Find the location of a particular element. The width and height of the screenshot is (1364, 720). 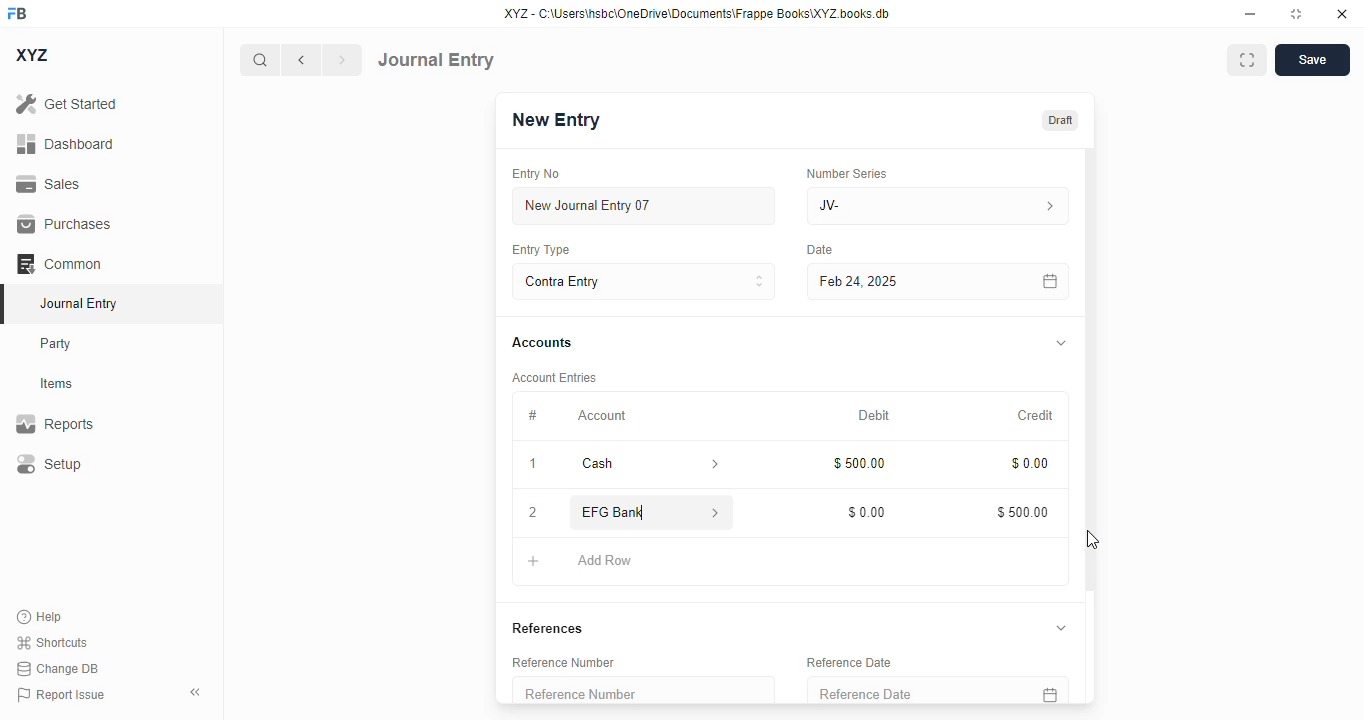

save is located at coordinates (1312, 60).